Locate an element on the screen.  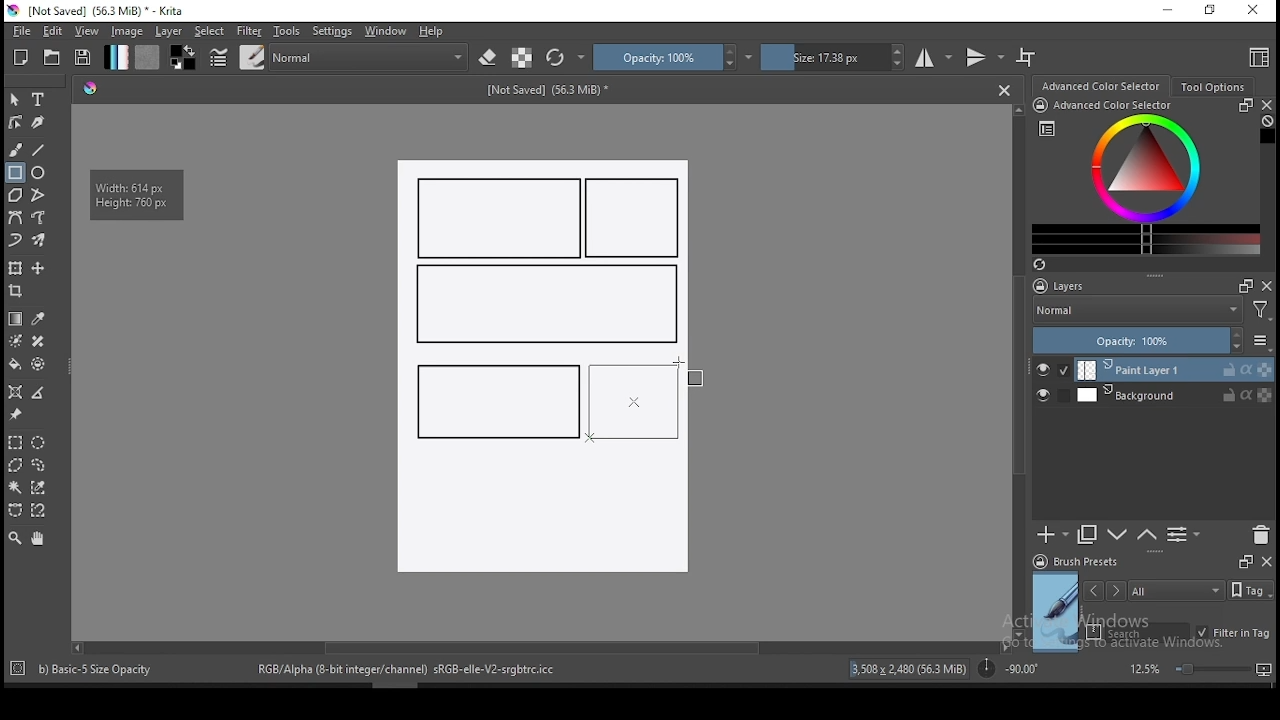
zoom tool is located at coordinates (15, 537).